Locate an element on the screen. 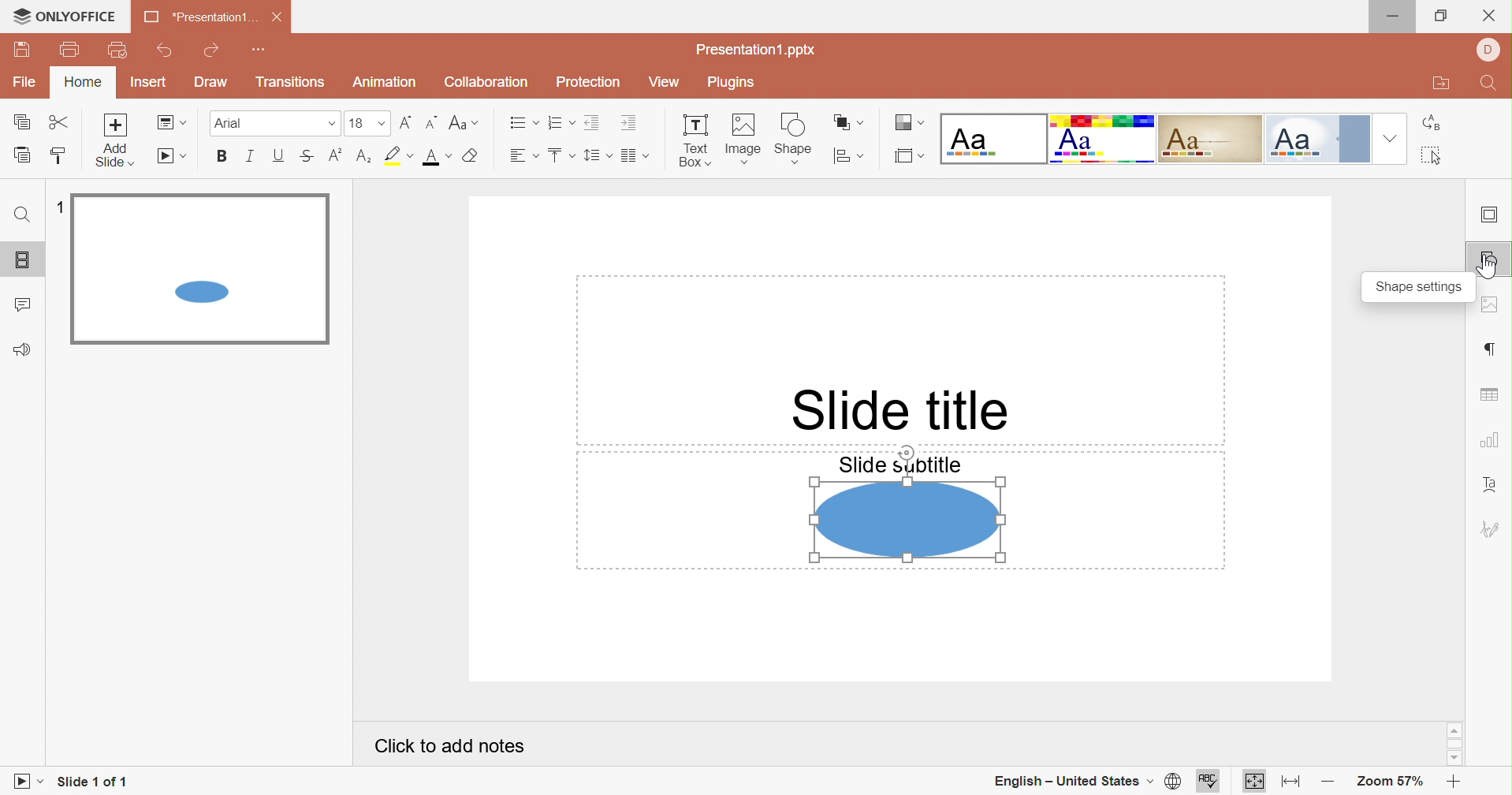 This screenshot has height=795, width=1512. Change color theme is located at coordinates (907, 122).